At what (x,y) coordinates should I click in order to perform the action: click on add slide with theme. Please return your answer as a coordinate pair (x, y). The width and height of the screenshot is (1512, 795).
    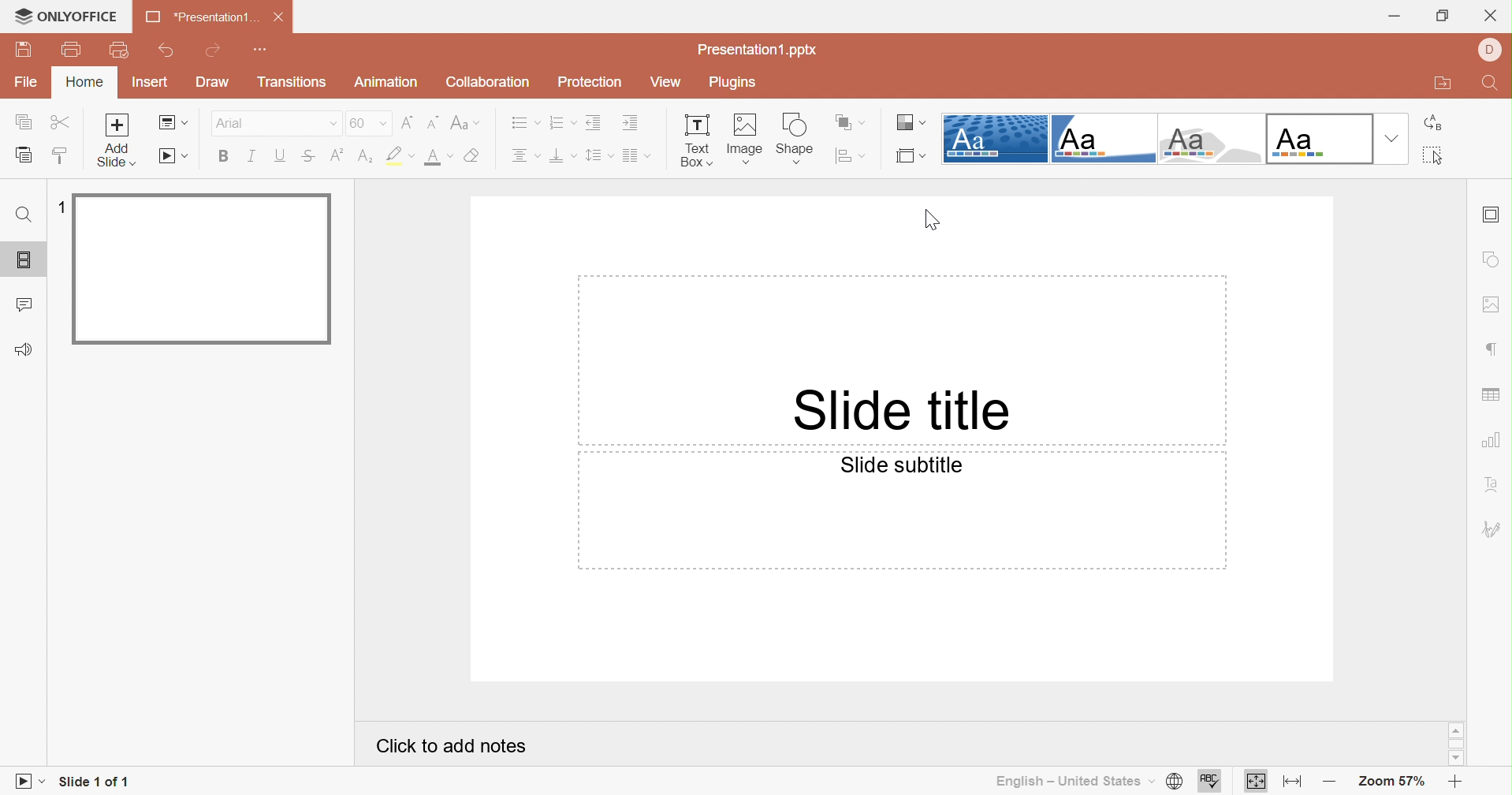
    Looking at the image, I should click on (114, 156).